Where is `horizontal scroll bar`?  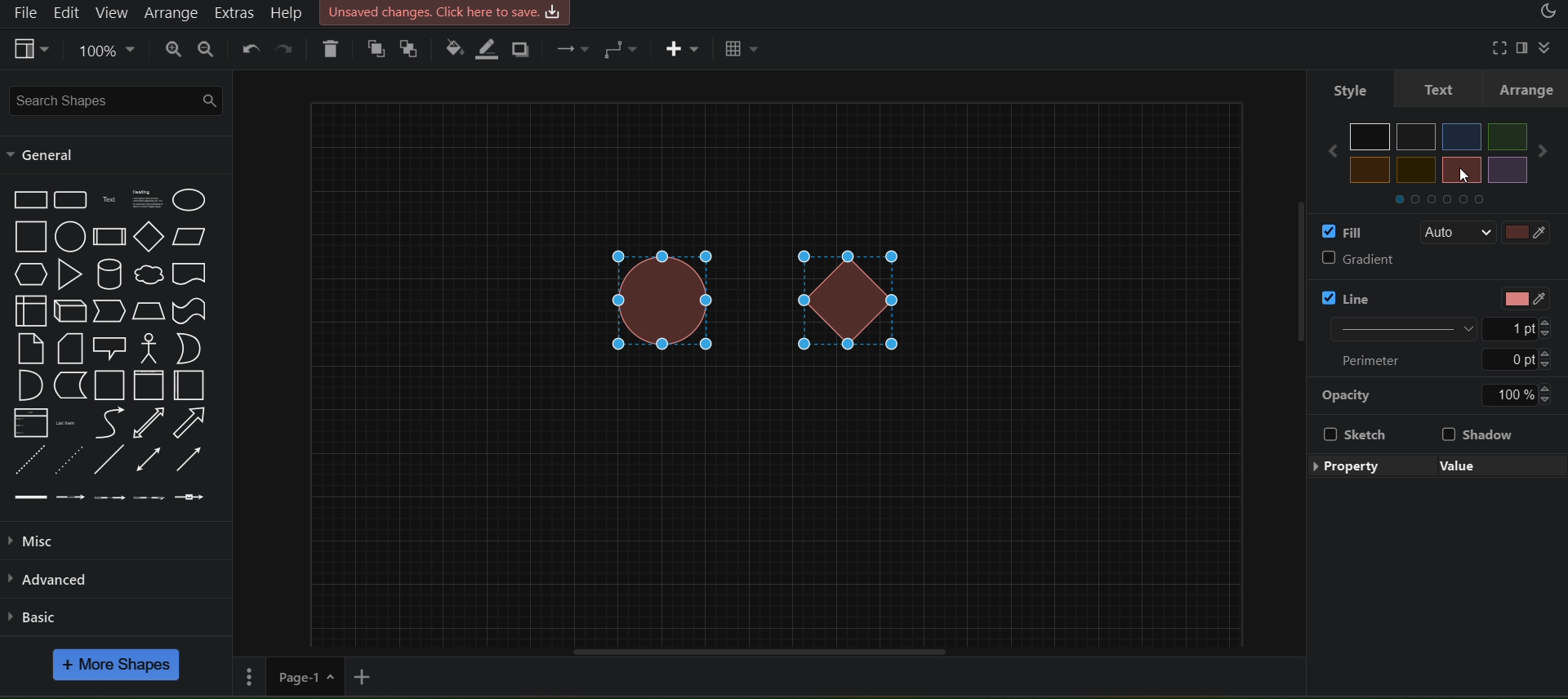
horizontal scroll bar is located at coordinates (761, 652).